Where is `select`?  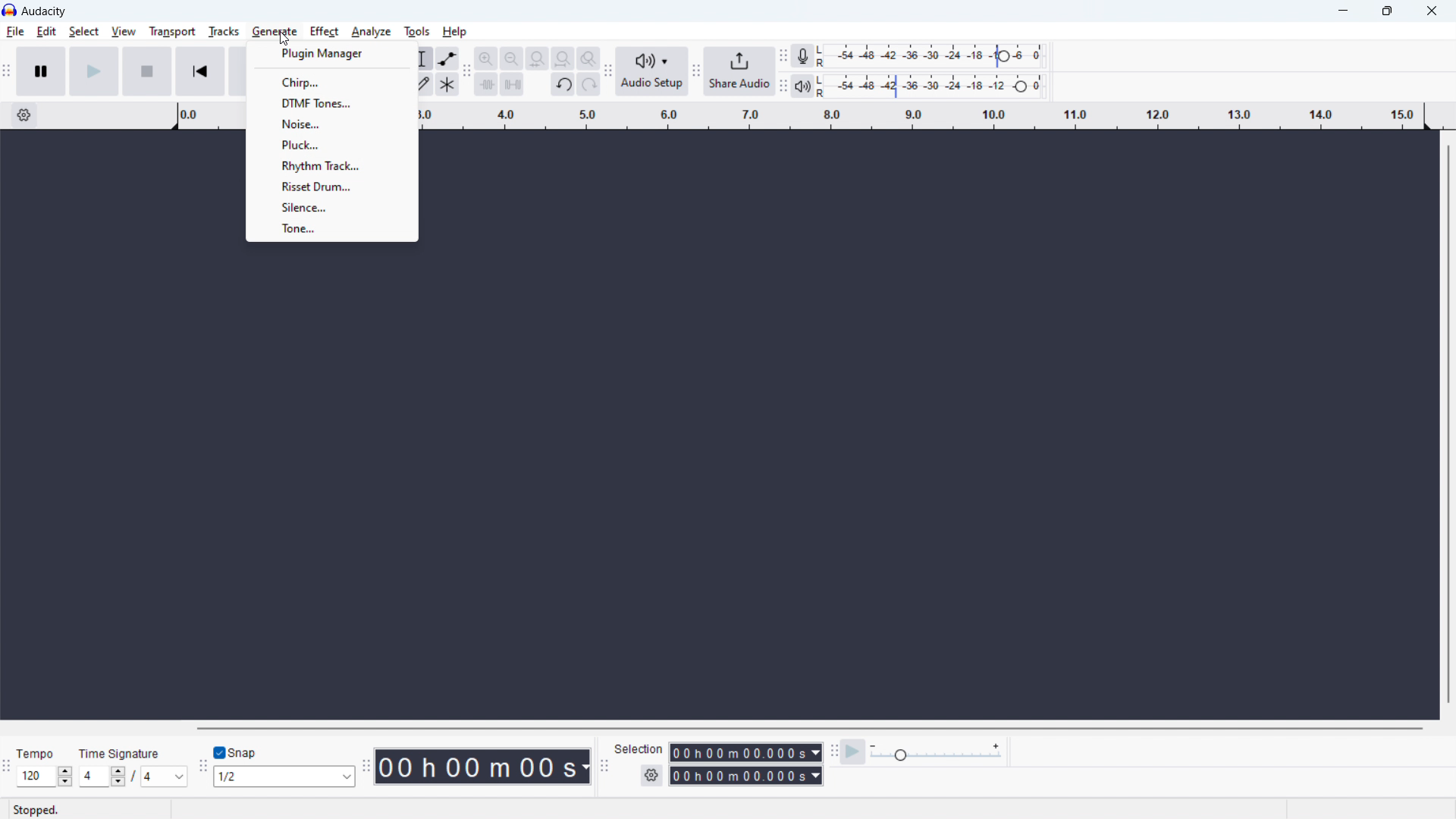 select is located at coordinates (84, 31).